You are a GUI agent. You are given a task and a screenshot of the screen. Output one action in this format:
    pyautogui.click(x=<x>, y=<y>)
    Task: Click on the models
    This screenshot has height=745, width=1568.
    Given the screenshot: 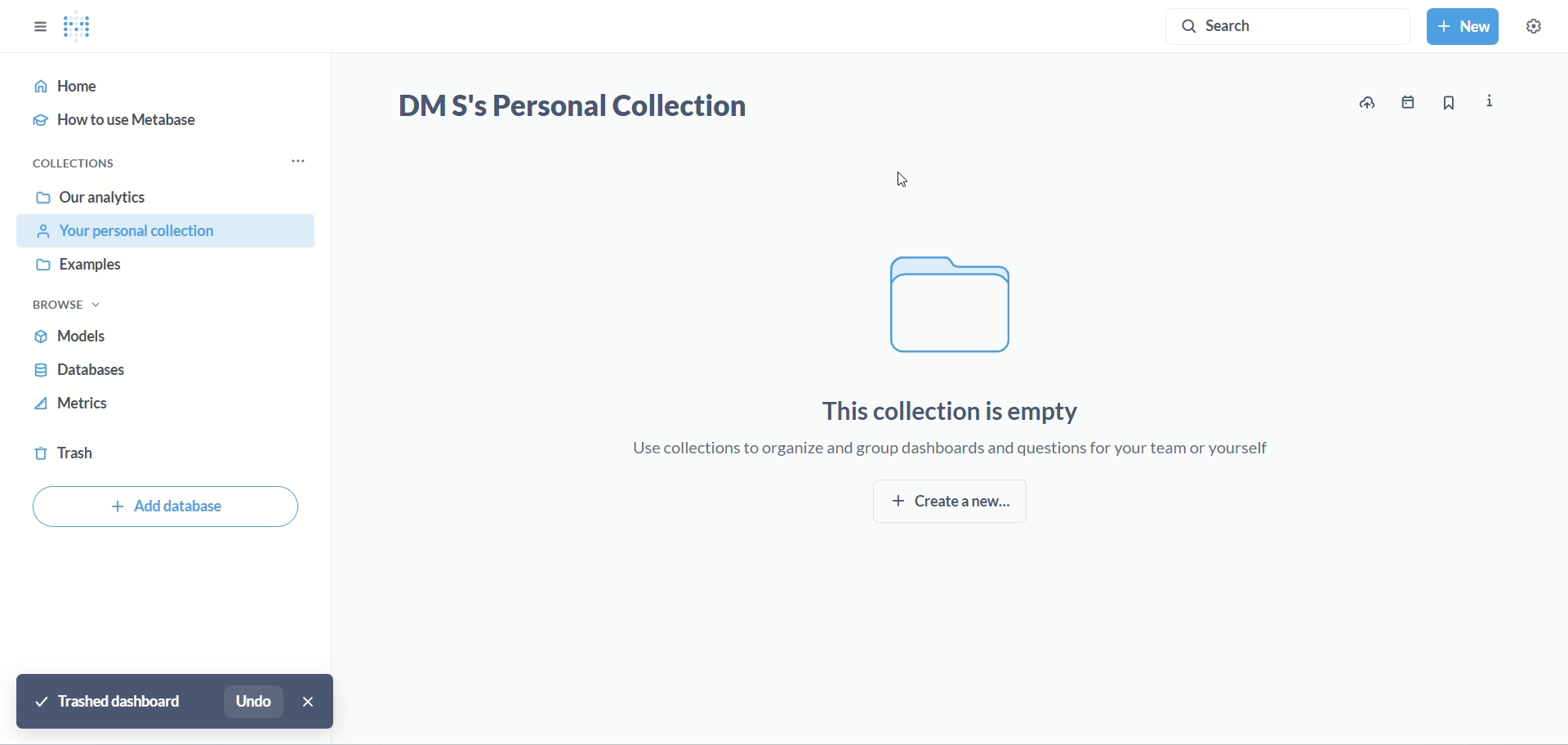 What is the action you would take?
    pyautogui.click(x=78, y=339)
    